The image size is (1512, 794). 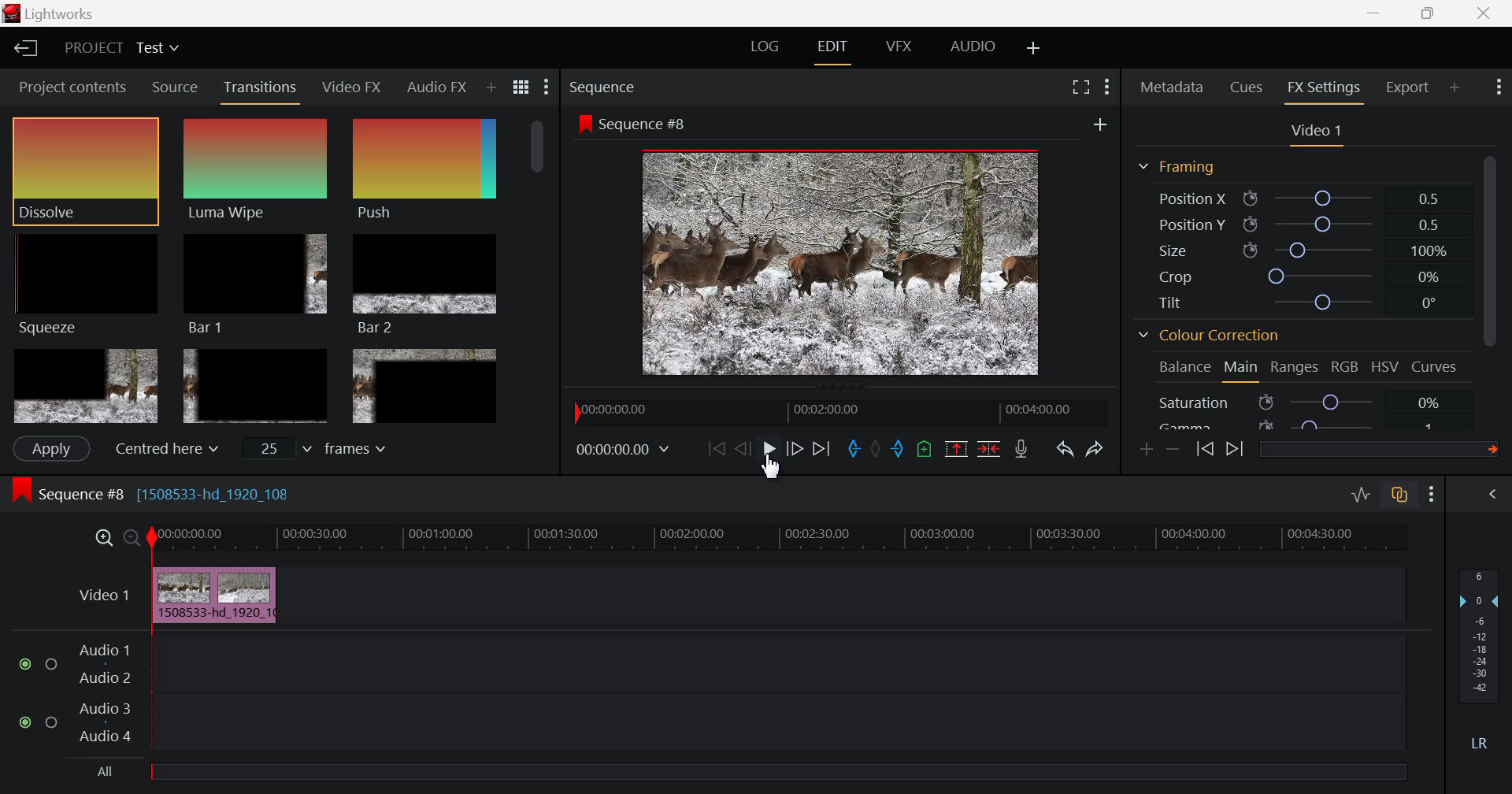 I want to click on Delete/Cut, so click(x=989, y=447).